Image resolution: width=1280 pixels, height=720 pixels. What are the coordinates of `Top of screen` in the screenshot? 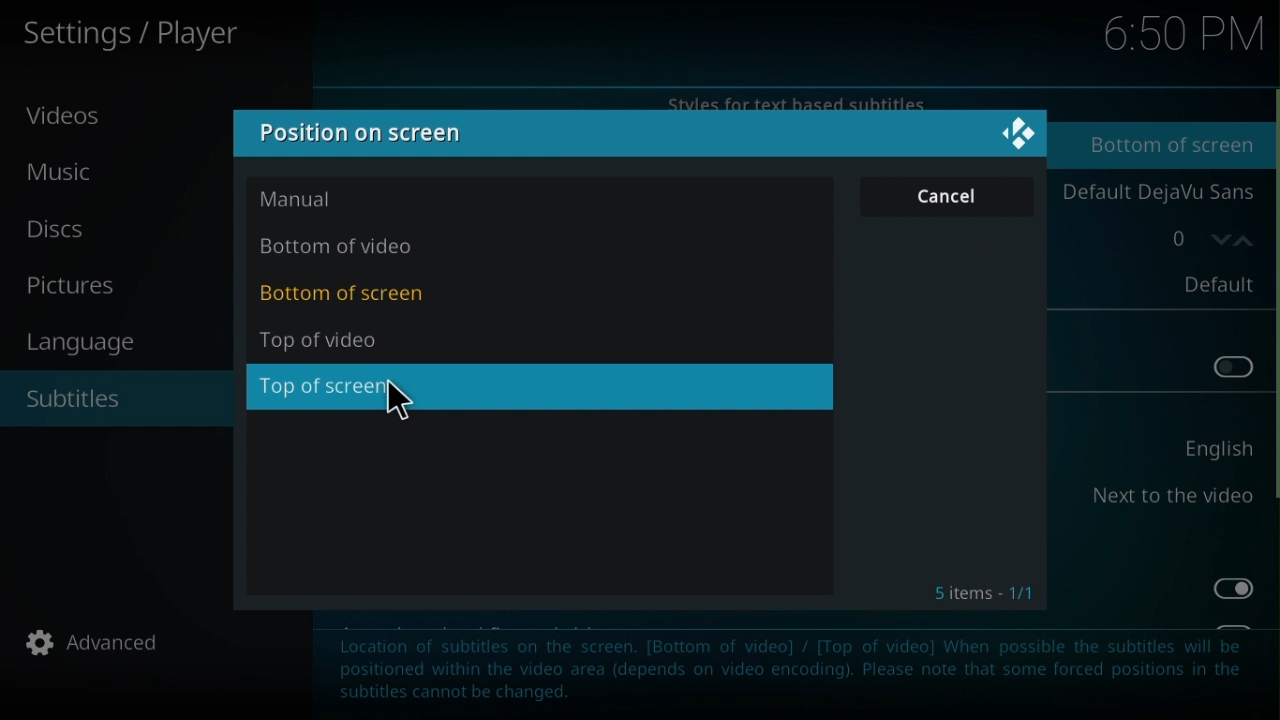 It's located at (331, 391).